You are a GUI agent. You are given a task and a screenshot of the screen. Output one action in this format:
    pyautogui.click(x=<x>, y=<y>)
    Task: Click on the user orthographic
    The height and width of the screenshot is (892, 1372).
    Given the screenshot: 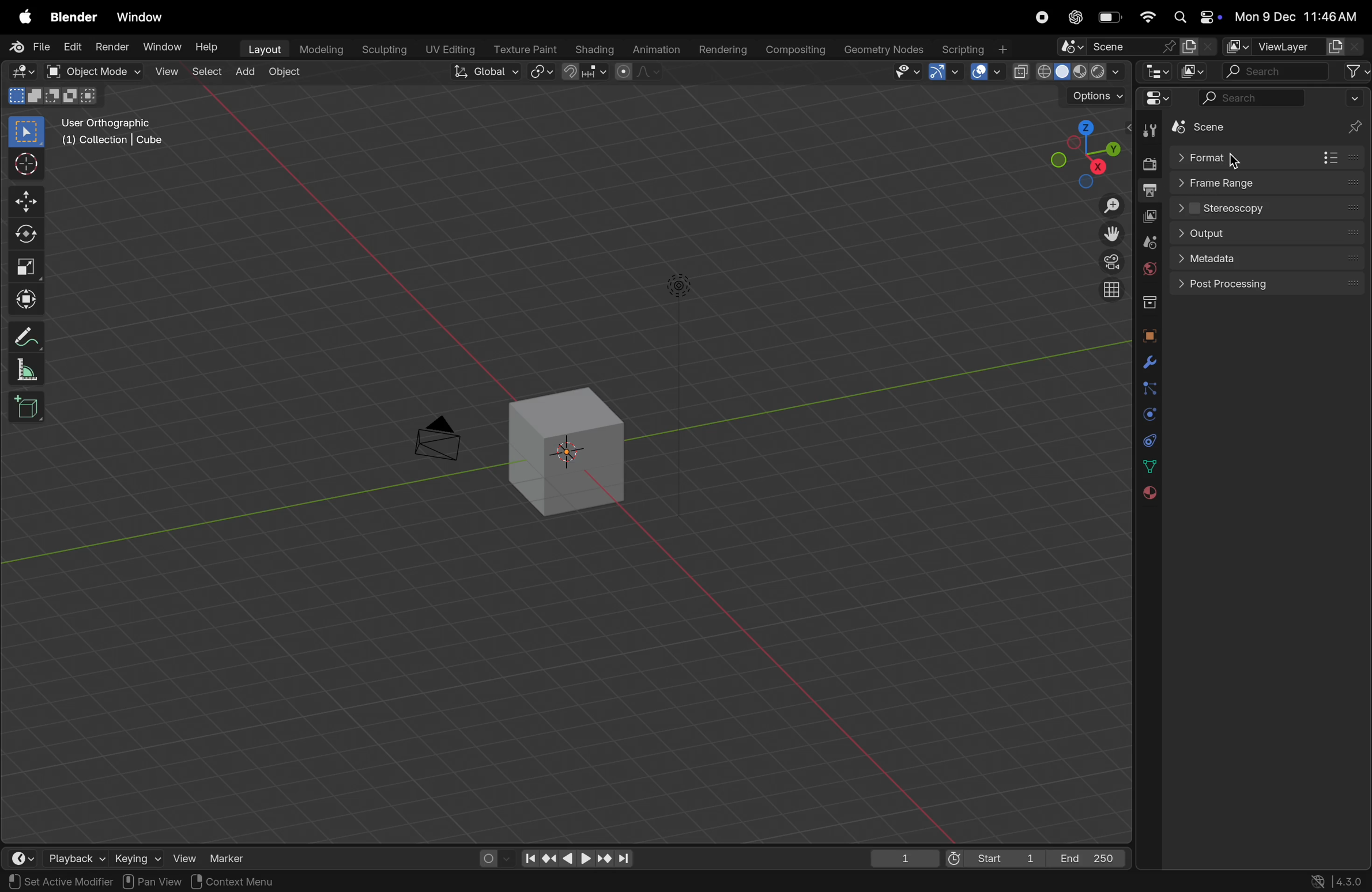 What is the action you would take?
    pyautogui.click(x=114, y=133)
    